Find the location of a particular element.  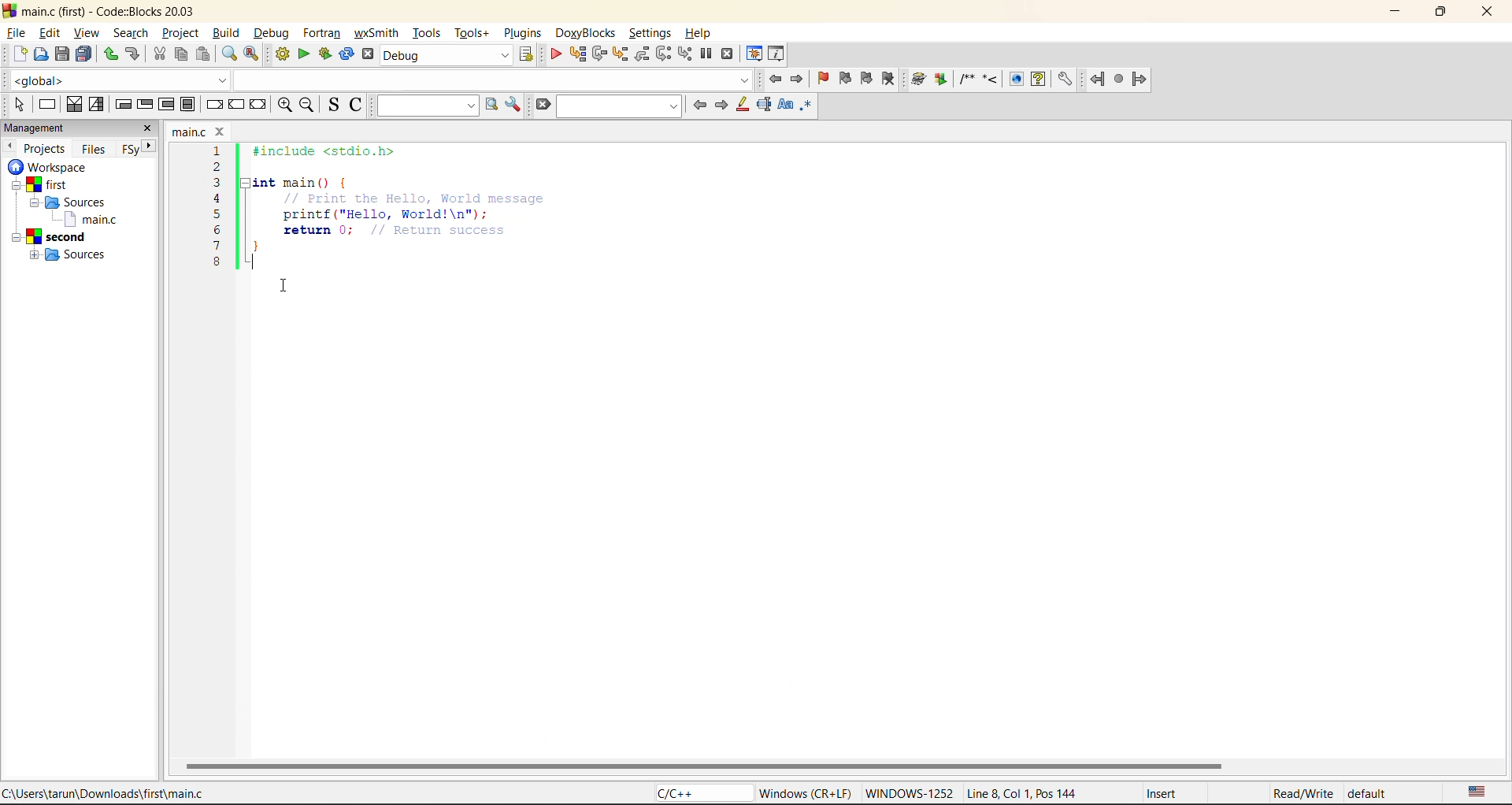

insert comment box is located at coordinates (966, 80).